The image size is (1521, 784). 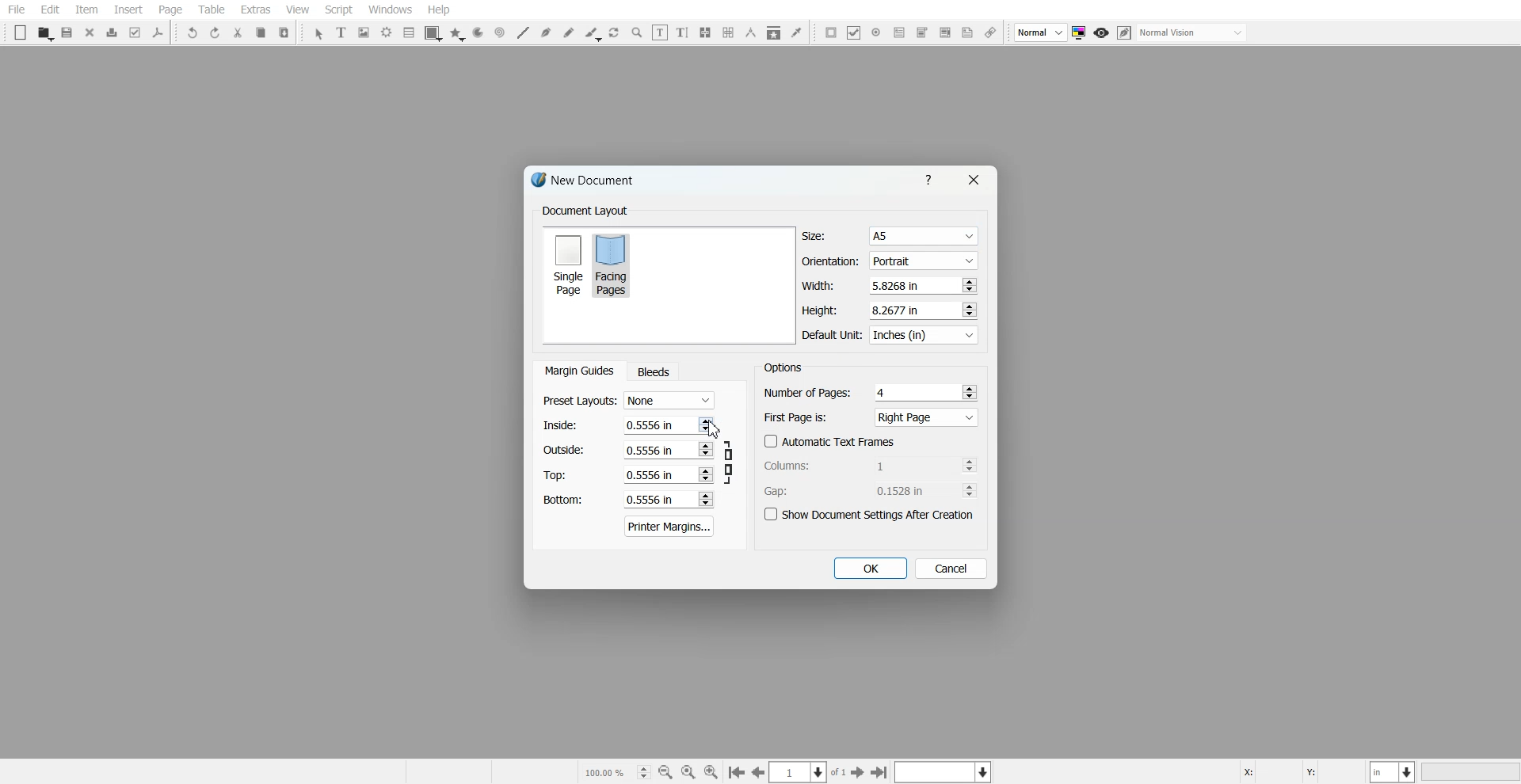 What do you see at coordinates (921, 32) in the screenshot?
I see `PDF Combo Box` at bounding box center [921, 32].